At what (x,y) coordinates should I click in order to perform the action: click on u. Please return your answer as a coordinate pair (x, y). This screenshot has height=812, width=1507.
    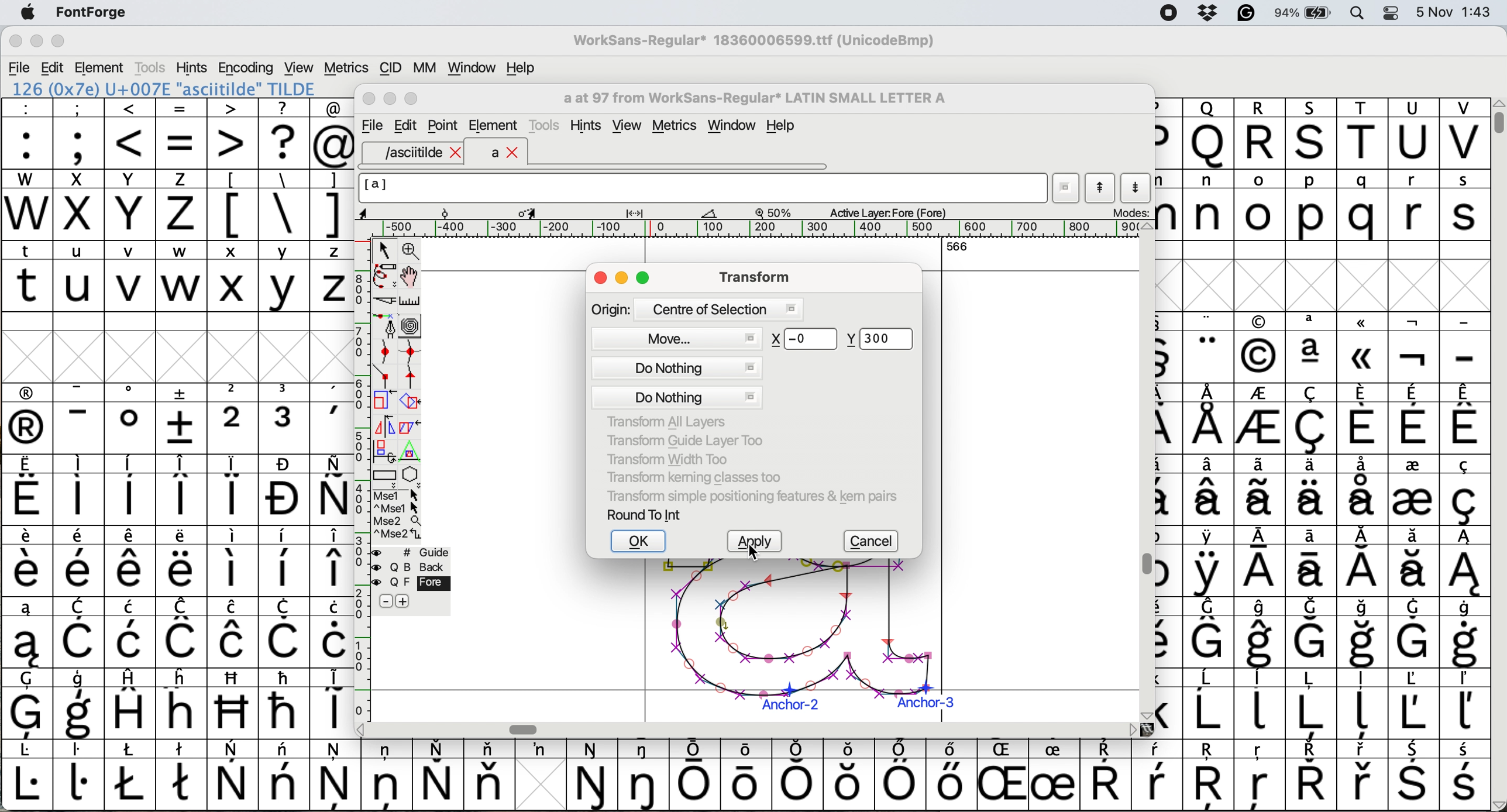
    Looking at the image, I should click on (80, 276).